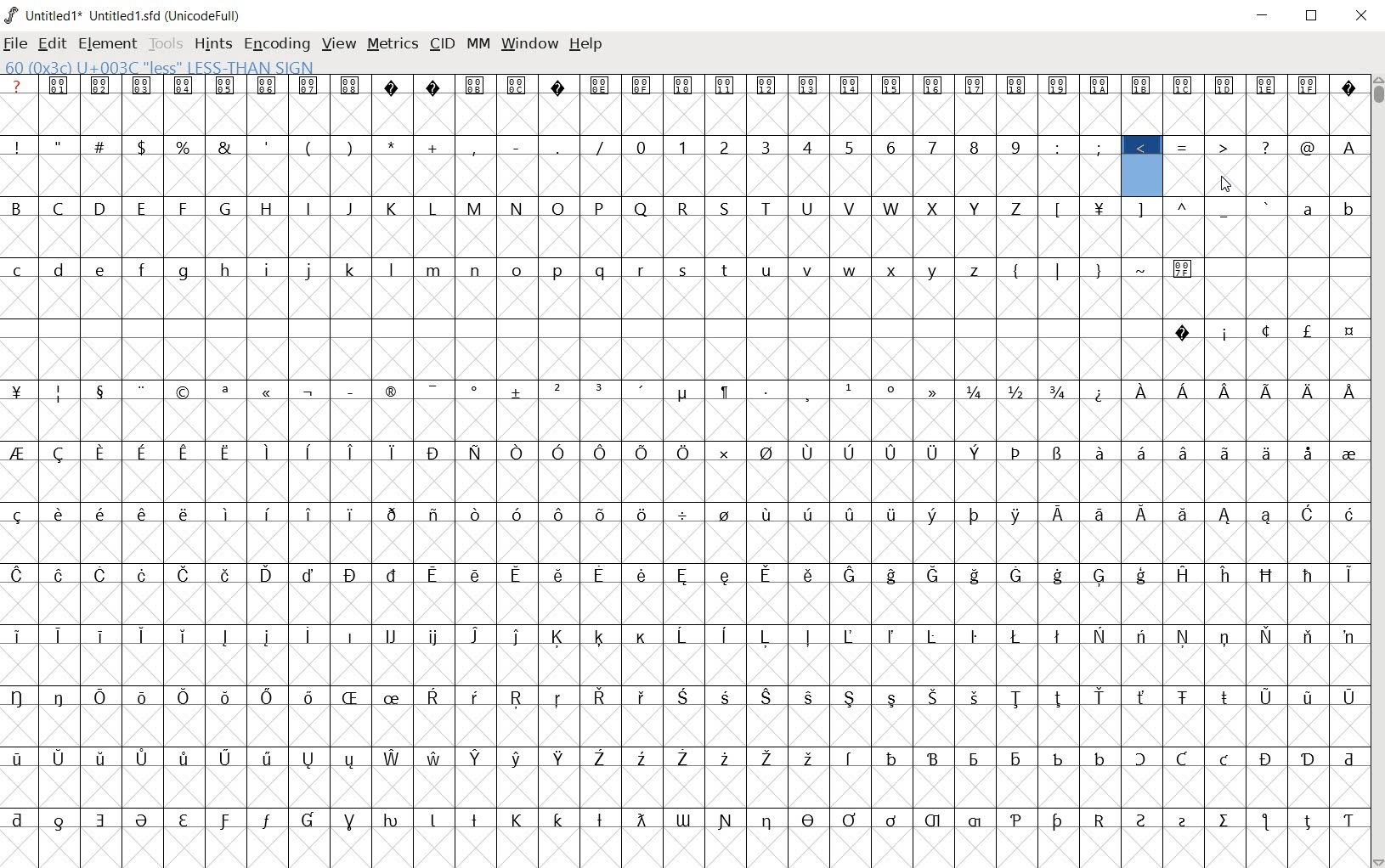 This screenshot has height=868, width=1385. What do you see at coordinates (15, 45) in the screenshot?
I see `file` at bounding box center [15, 45].